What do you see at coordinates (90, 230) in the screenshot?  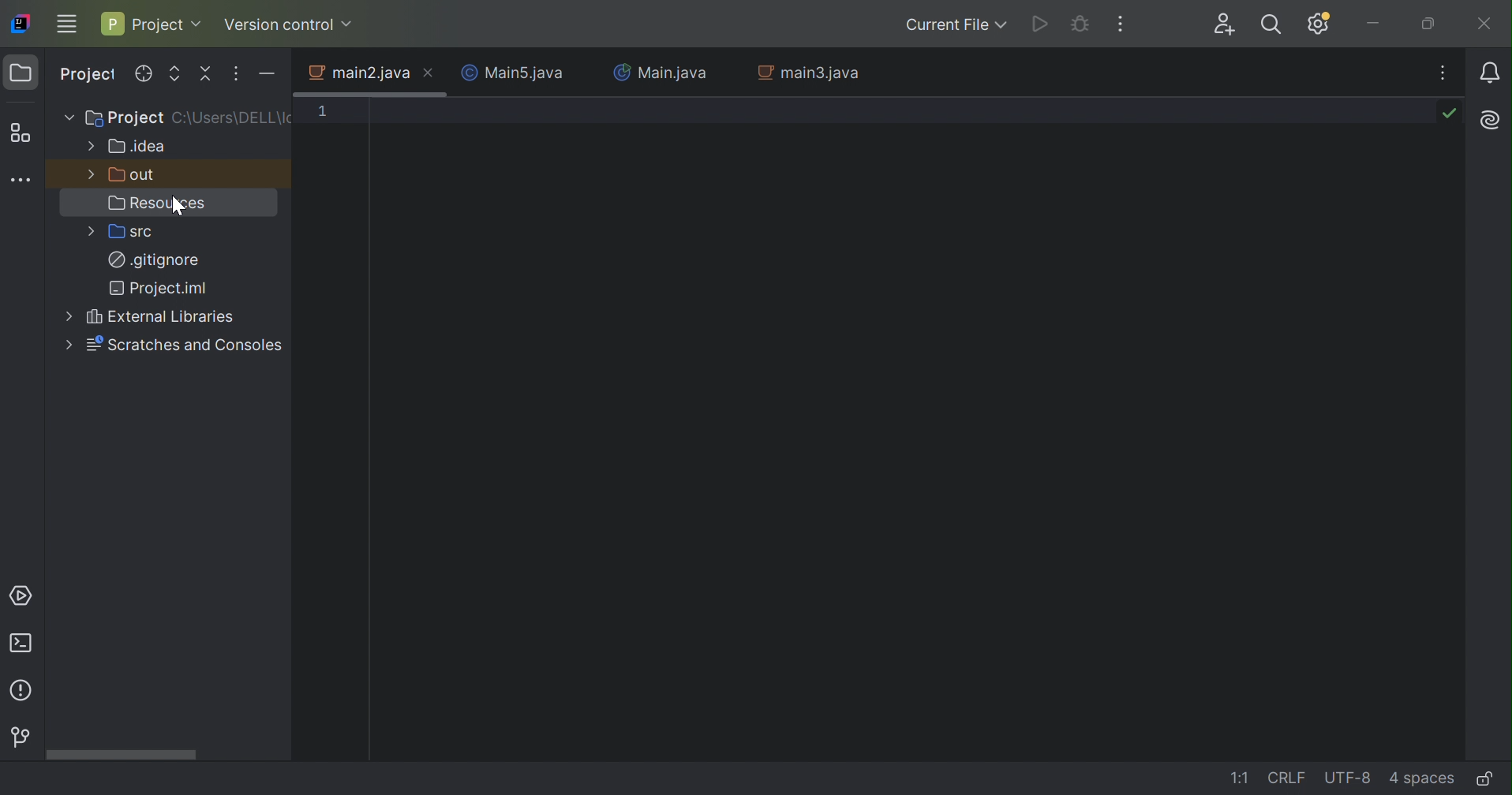 I see `More` at bounding box center [90, 230].